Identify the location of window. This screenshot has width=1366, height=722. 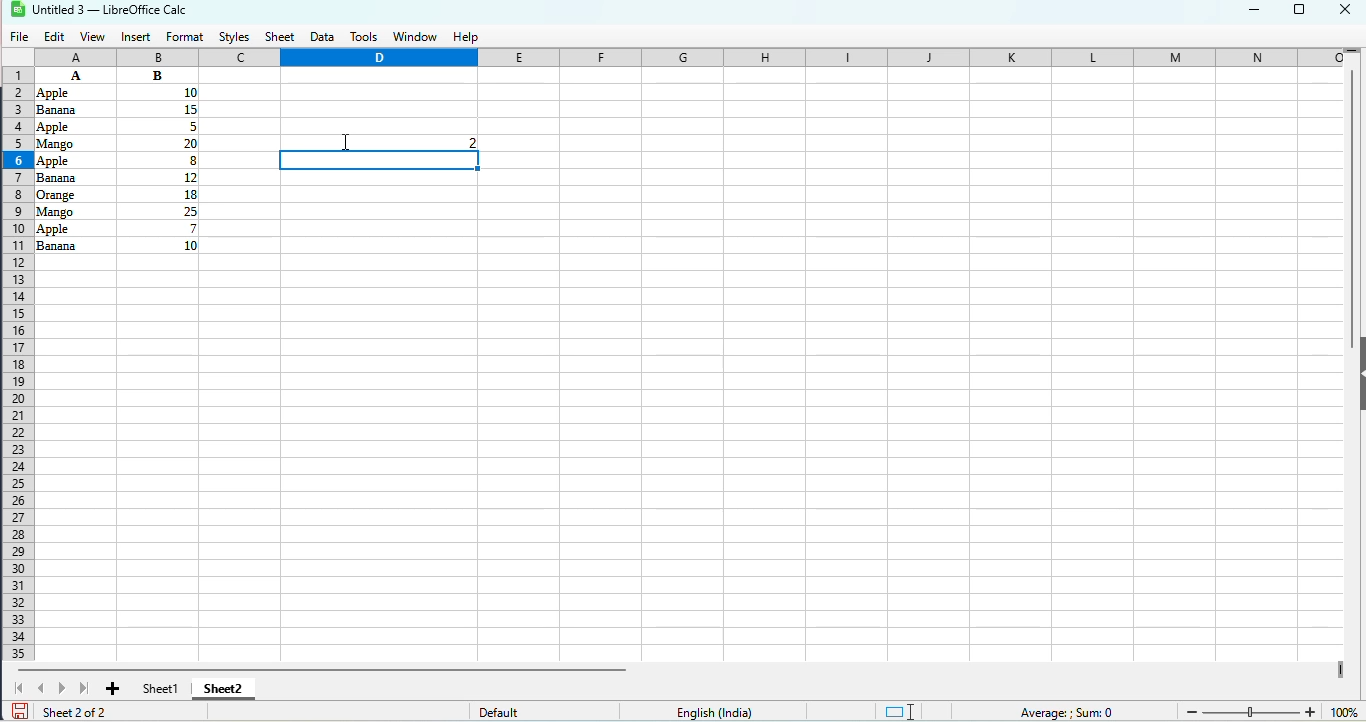
(416, 37).